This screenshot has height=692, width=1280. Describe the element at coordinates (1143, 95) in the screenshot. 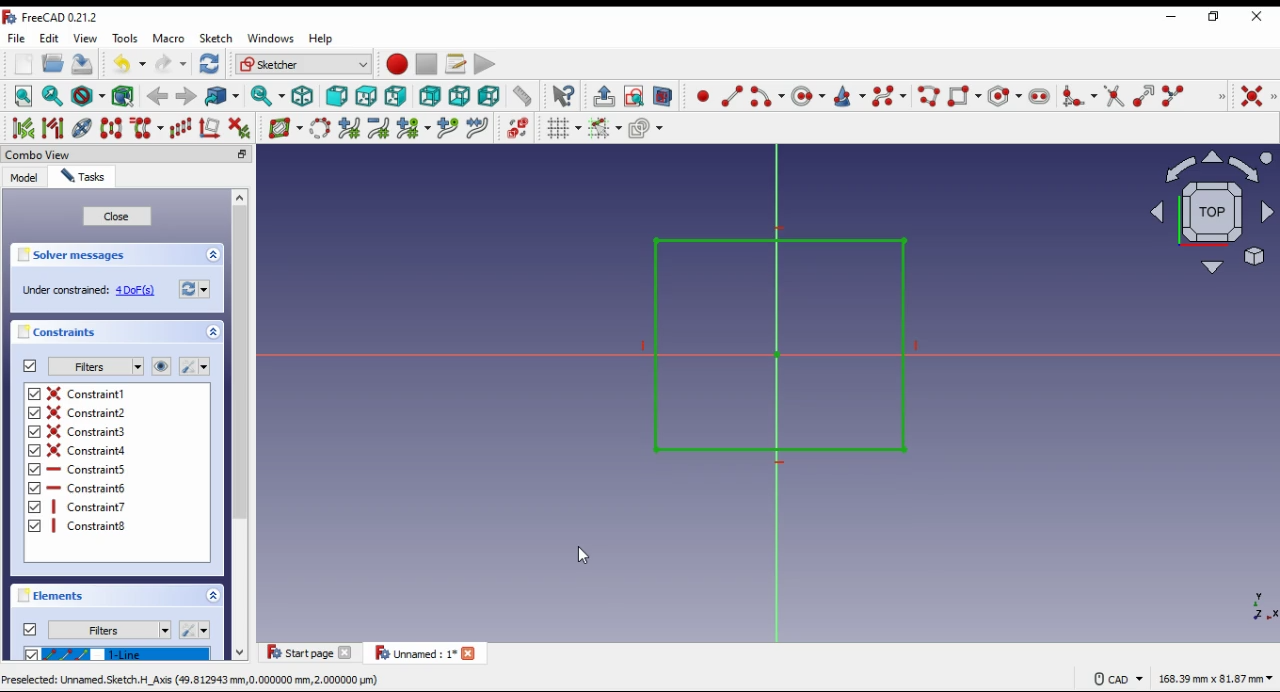

I see `extend  edge` at that location.